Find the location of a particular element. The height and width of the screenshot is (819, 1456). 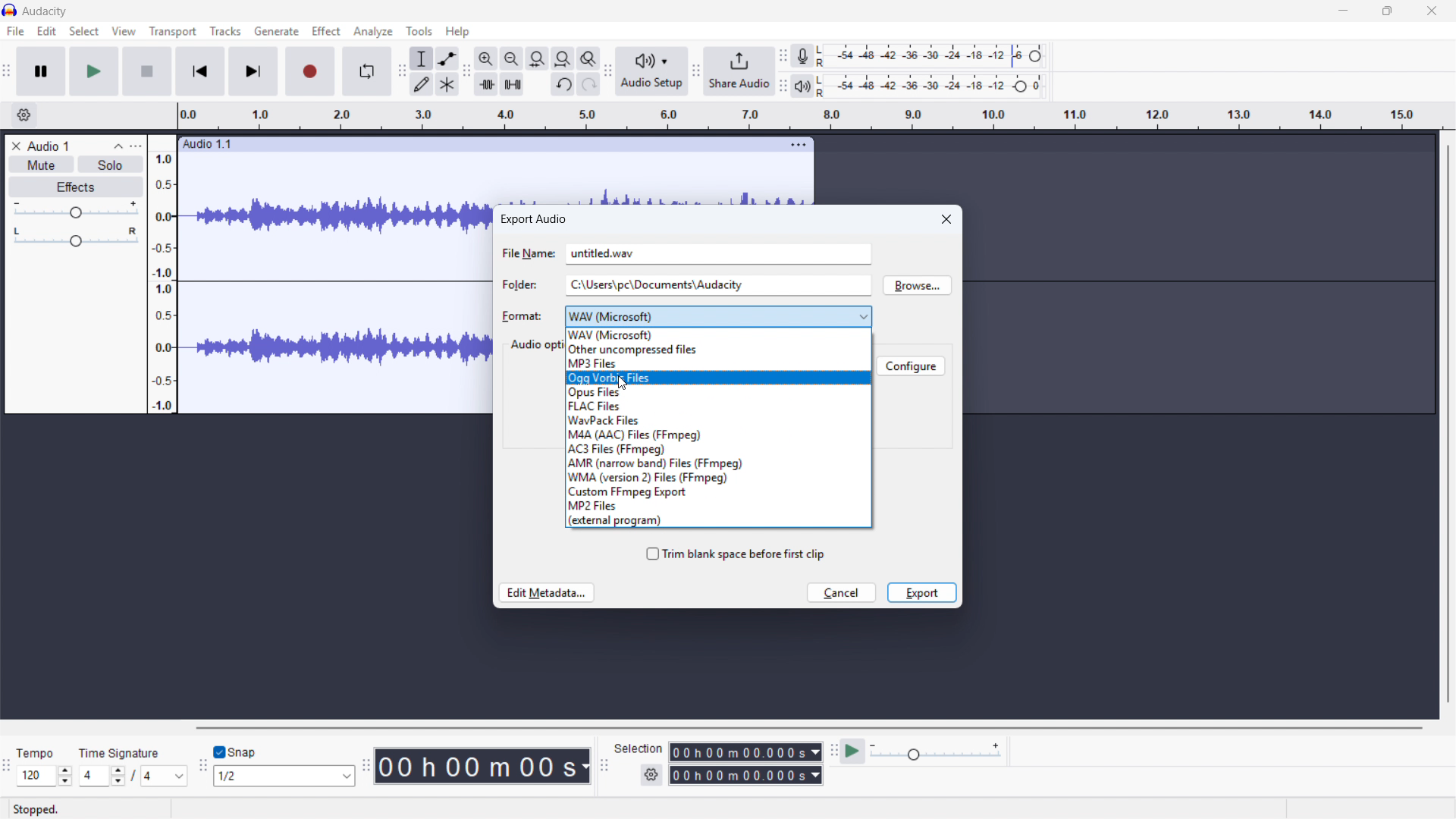

gain  is located at coordinates (74, 211).